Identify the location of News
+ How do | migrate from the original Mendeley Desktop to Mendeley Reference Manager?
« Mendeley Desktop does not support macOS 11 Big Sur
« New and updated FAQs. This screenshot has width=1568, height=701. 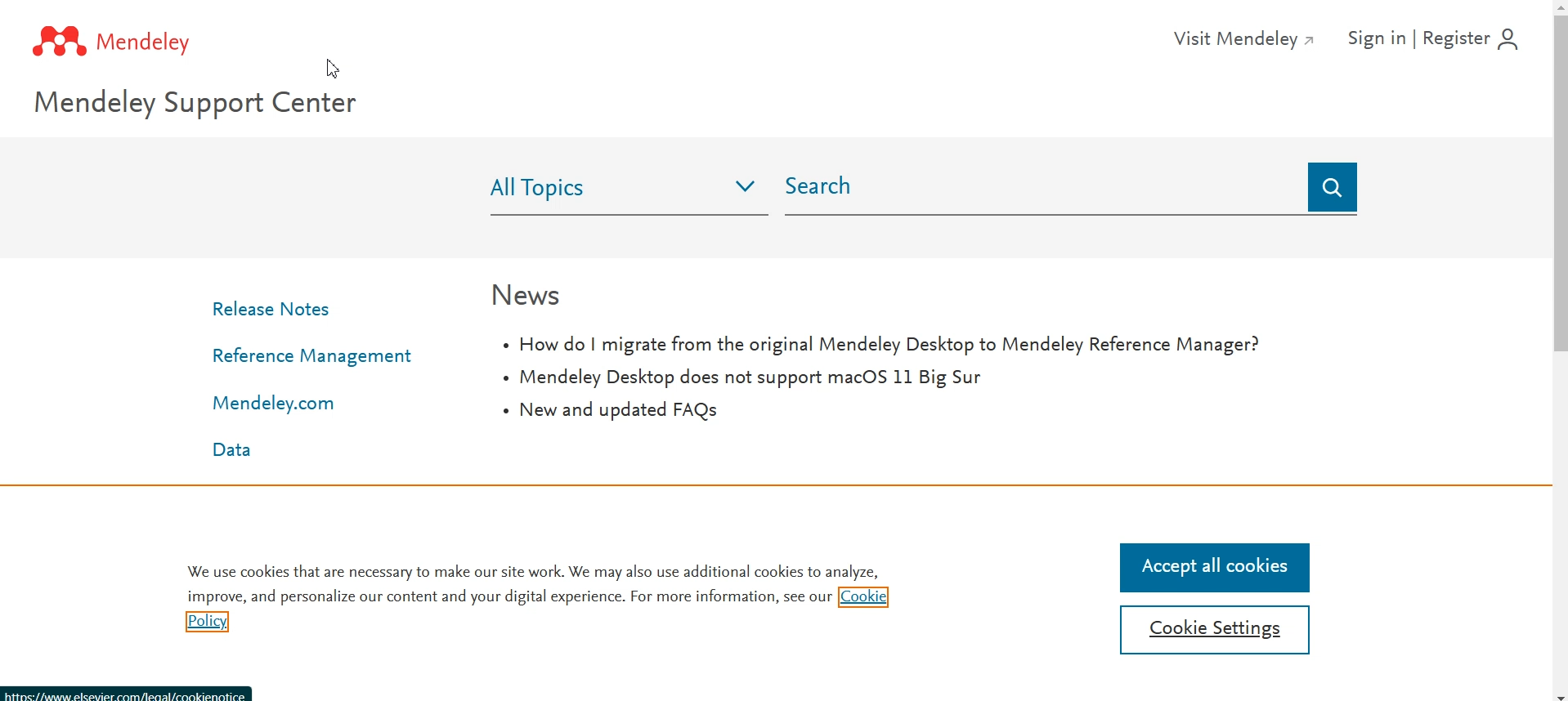
(876, 354).